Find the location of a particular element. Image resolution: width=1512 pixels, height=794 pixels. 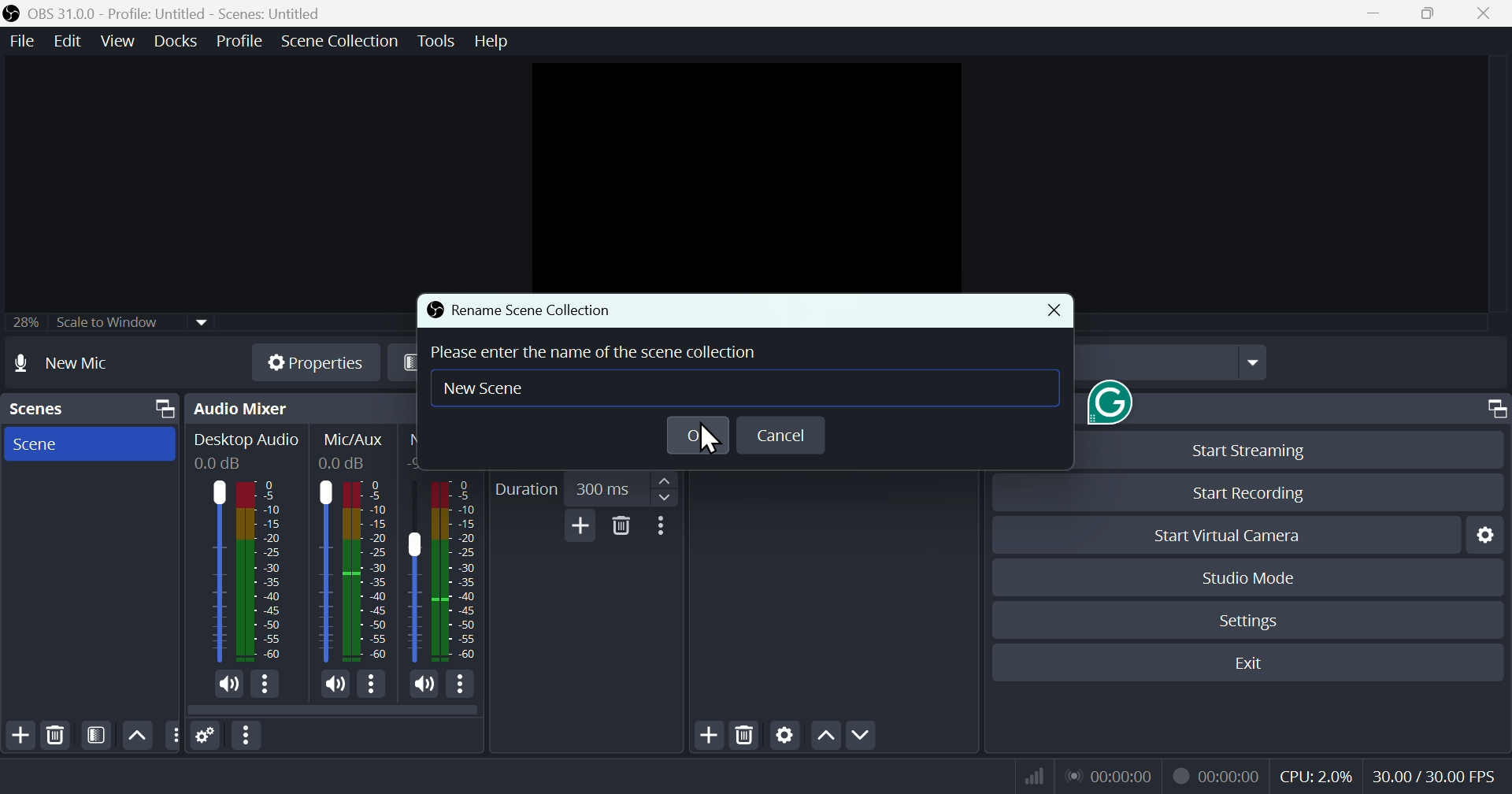

new scene is located at coordinates (495, 390).